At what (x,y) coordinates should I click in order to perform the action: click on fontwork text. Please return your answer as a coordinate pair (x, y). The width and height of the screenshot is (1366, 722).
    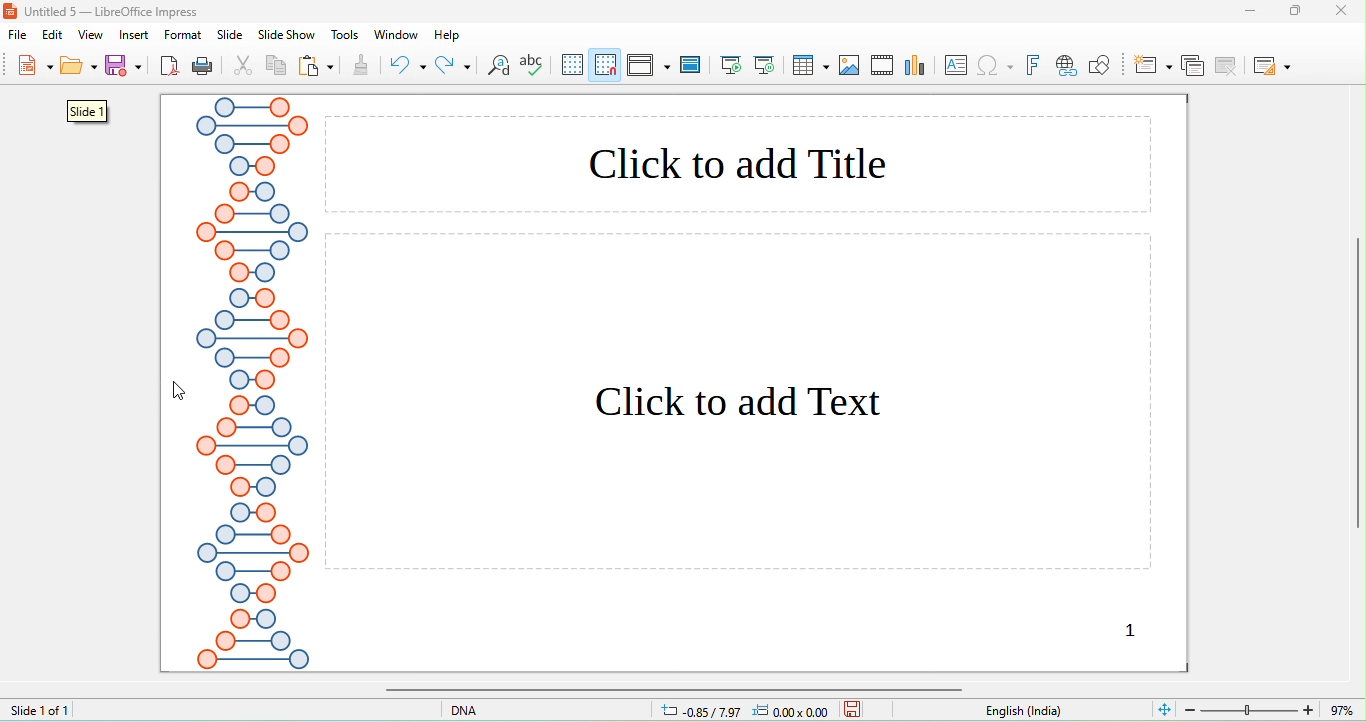
    Looking at the image, I should click on (1035, 65).